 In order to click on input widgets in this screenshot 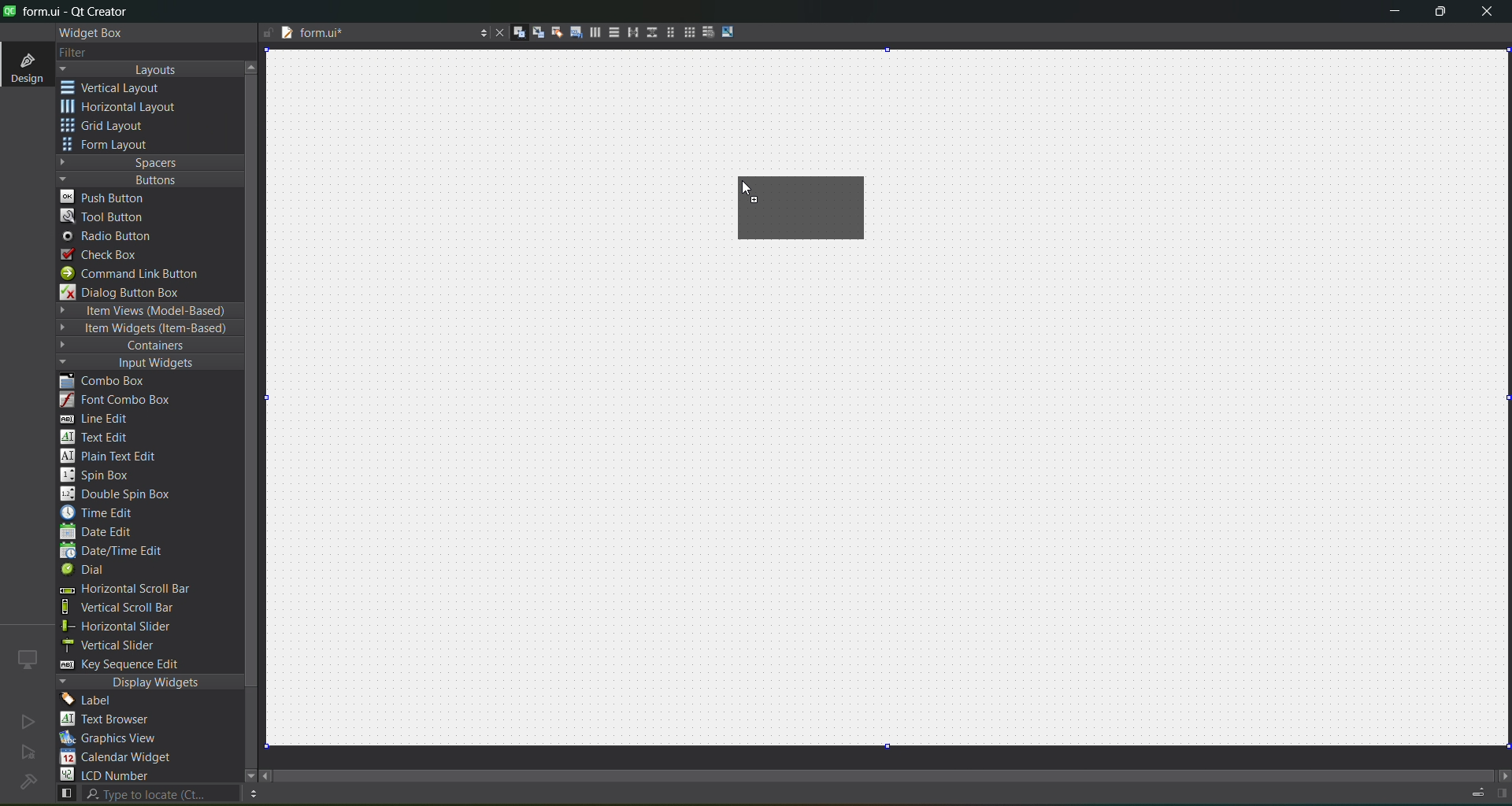, I will do `click(142, 364)`.